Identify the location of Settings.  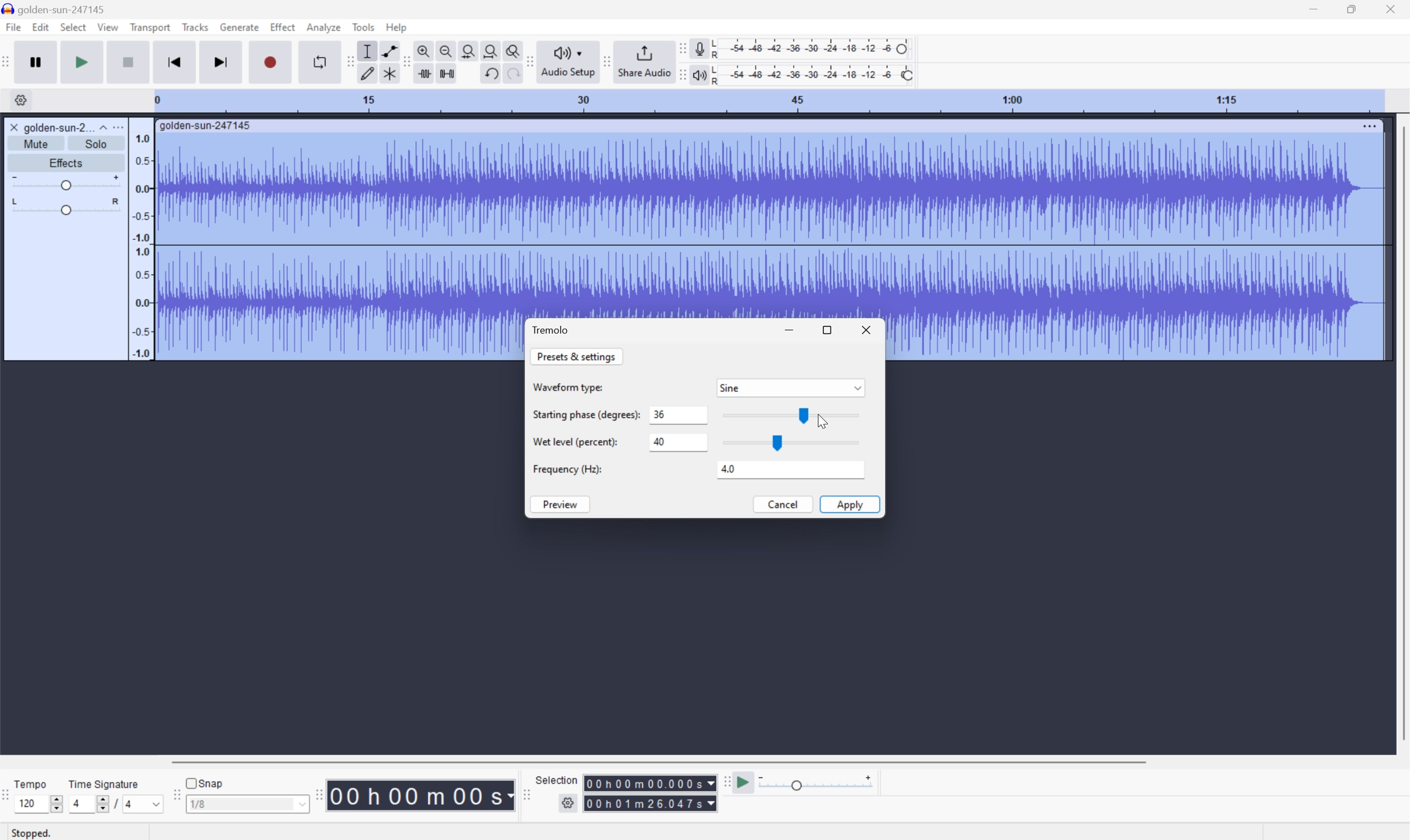
(23, 100).